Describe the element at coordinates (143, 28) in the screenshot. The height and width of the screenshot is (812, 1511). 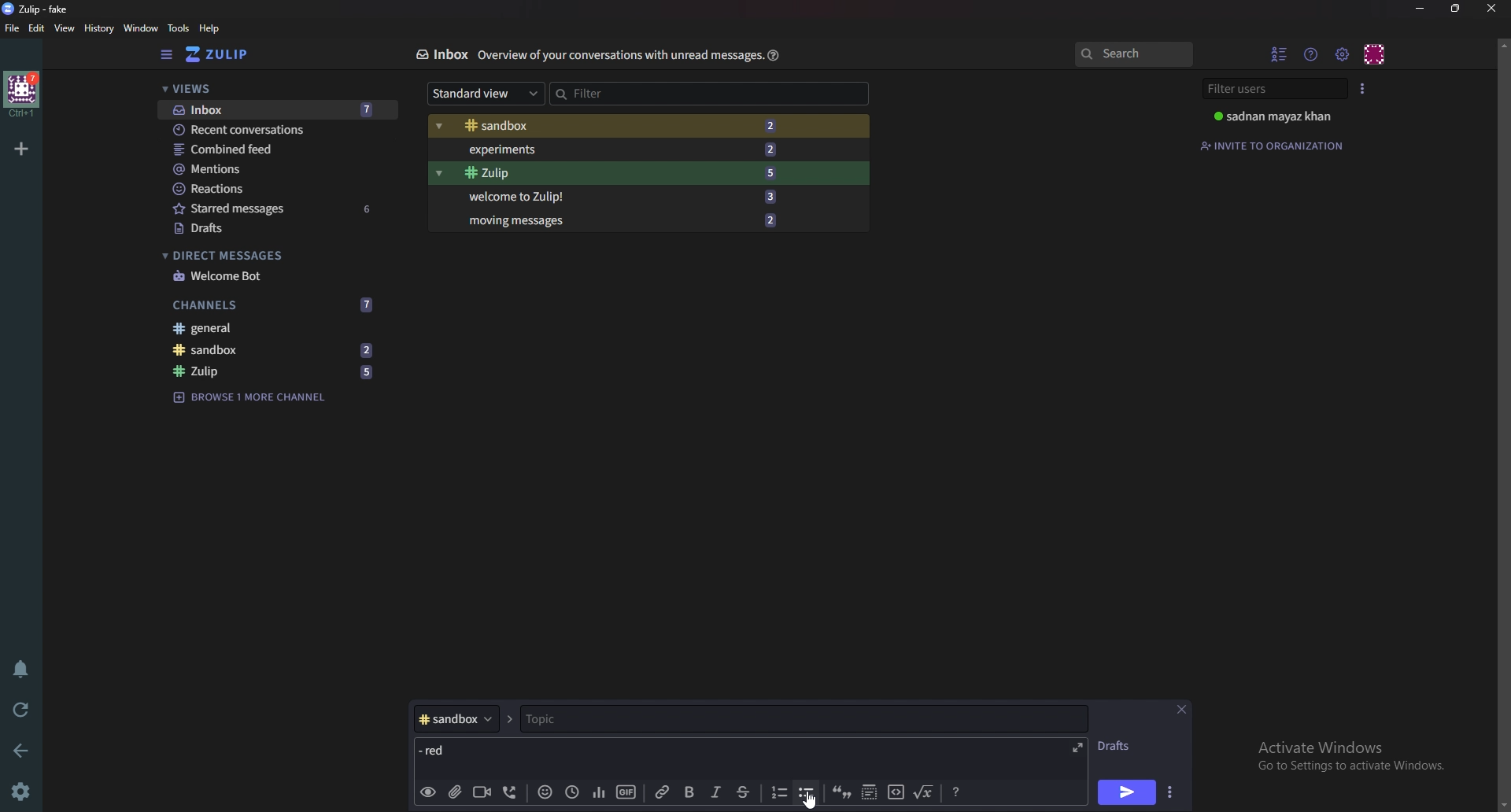
I see `Window` at that location.